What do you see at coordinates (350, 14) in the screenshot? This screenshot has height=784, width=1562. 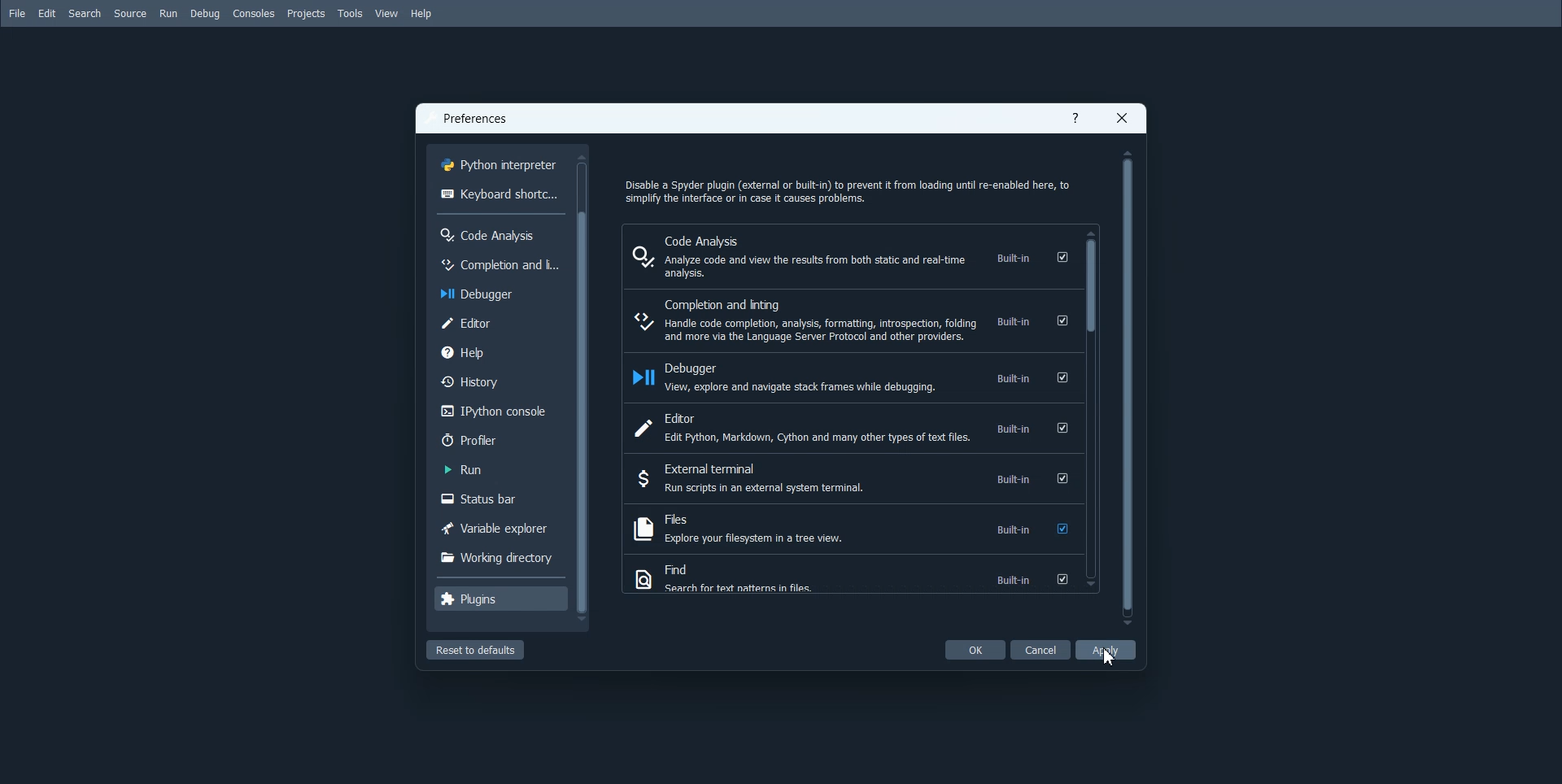 I see `Tools` at bounding box center [350, 14].